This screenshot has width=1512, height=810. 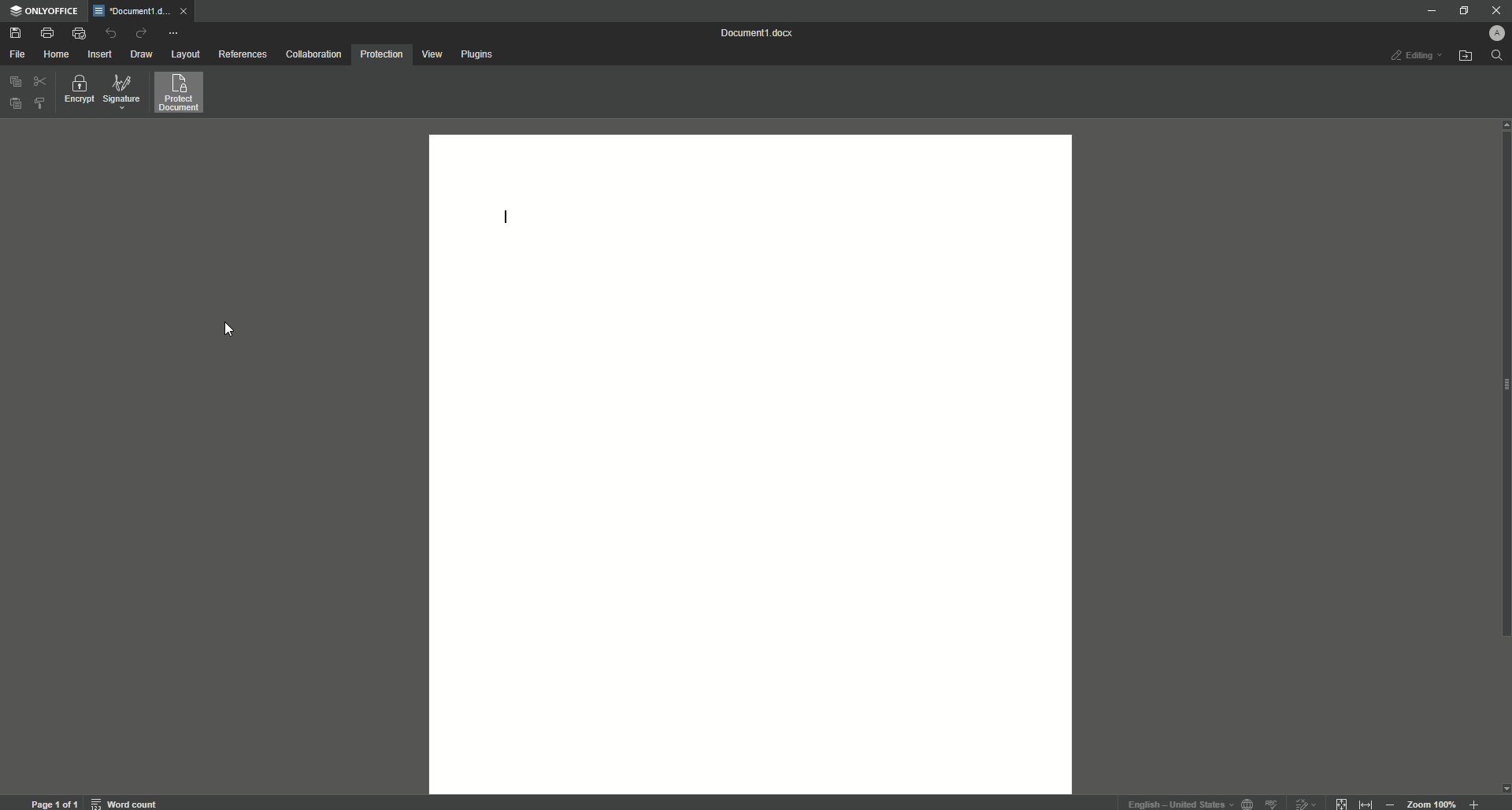 What do you see at coordinates (225, 329) in the screenshot?
I see `Cursor` at bounding box center [225, 329].